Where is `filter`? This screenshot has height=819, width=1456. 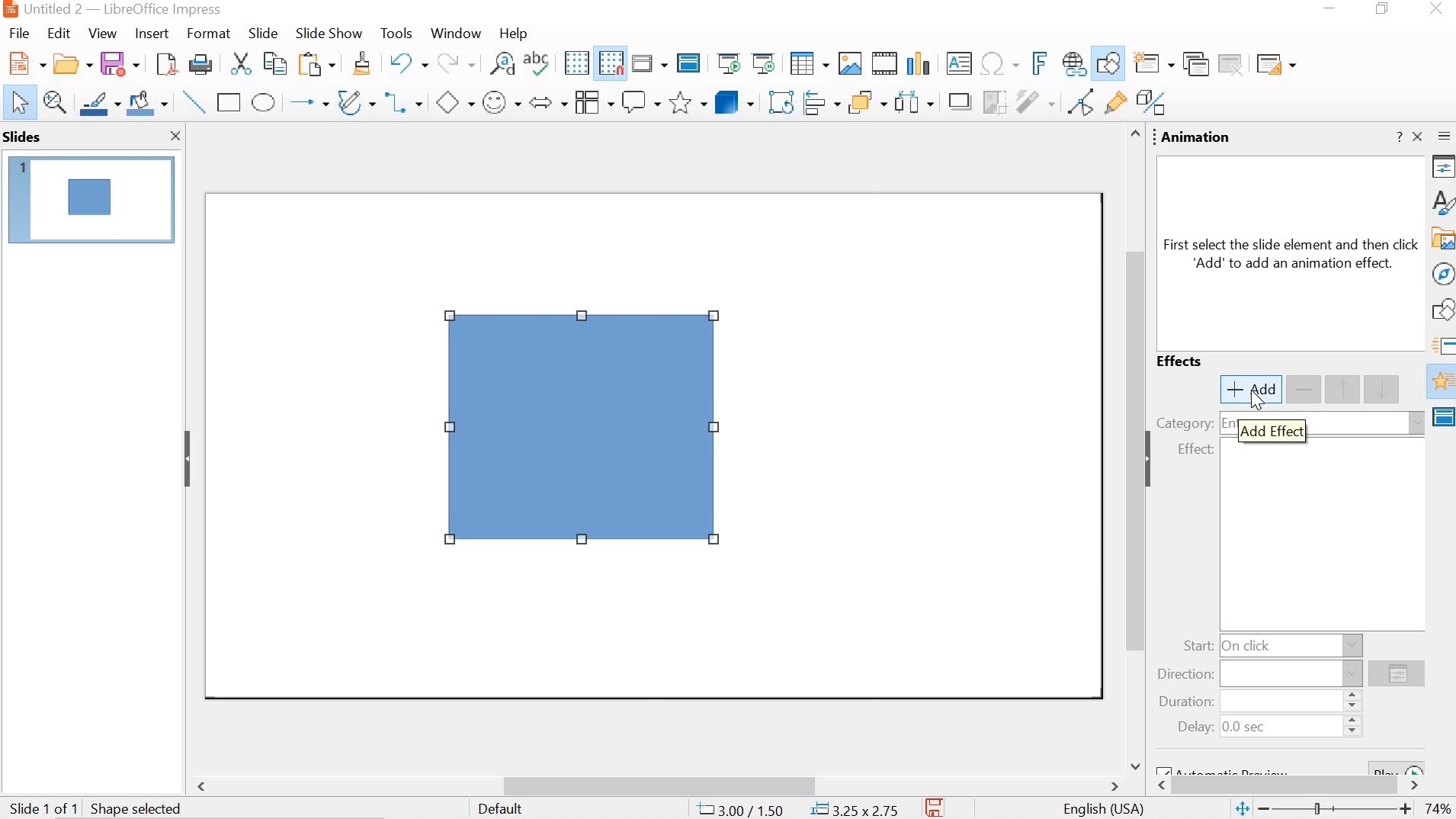 filter is located at coordinates (1034, 99).